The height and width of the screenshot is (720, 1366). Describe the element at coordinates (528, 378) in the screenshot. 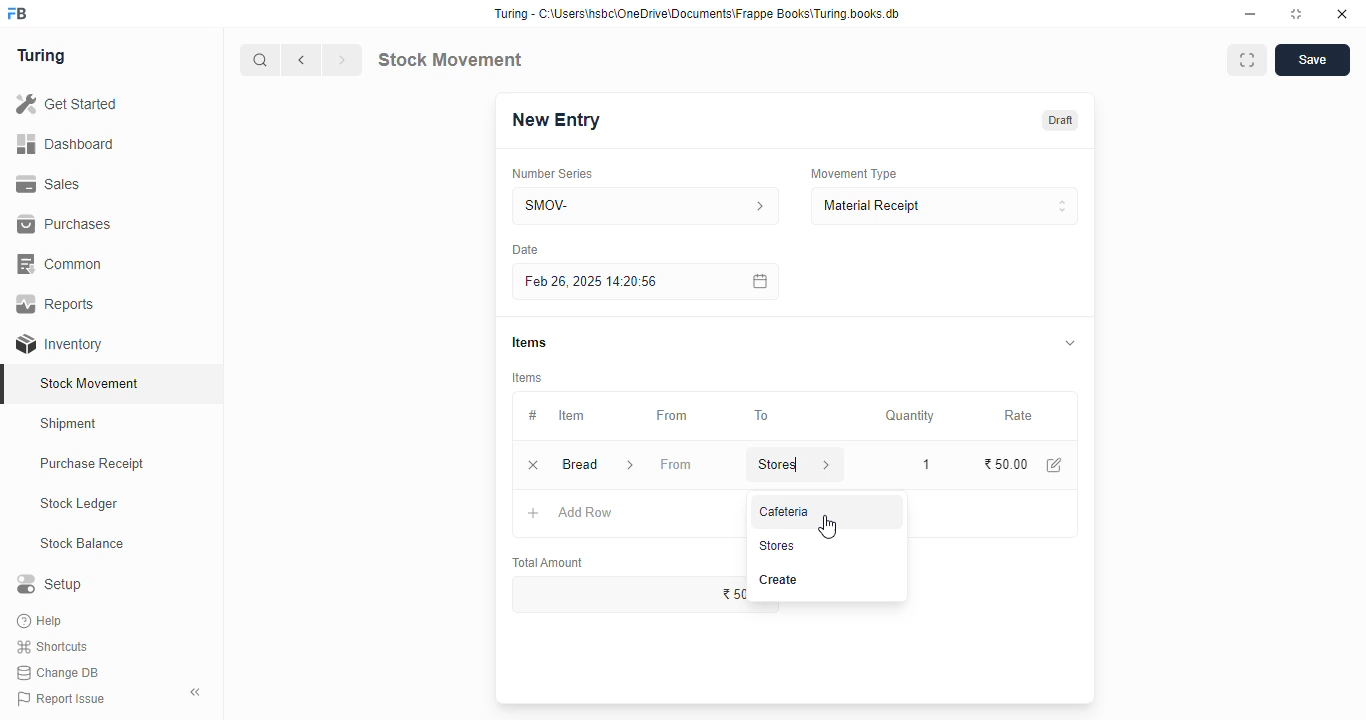

I see `items` at that location.